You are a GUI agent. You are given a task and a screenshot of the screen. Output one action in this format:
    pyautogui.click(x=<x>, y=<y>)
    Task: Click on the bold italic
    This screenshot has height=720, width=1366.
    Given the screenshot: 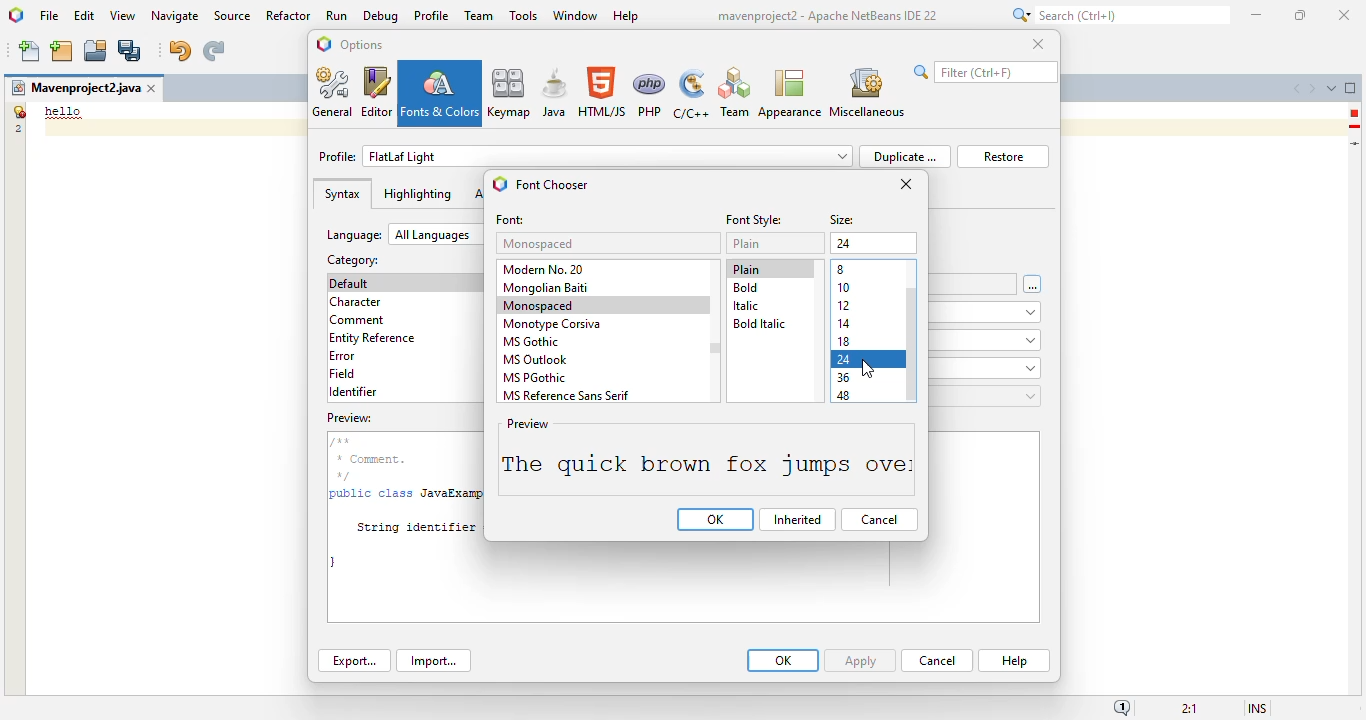 What is the action you would take?
    pyautogui.click(x=758, y=323)
    